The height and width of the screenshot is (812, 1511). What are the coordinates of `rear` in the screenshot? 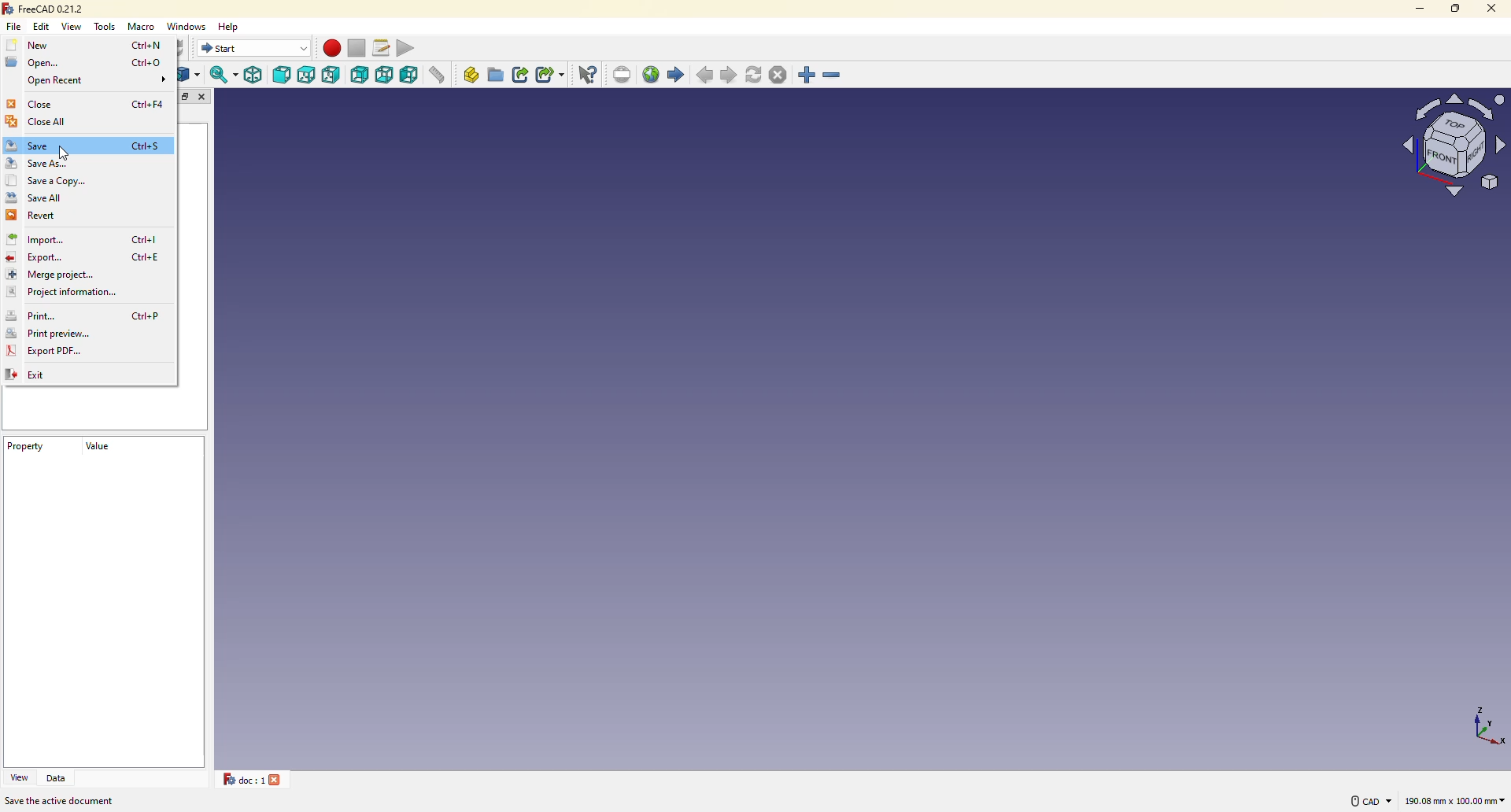 It's located at (360, 74).